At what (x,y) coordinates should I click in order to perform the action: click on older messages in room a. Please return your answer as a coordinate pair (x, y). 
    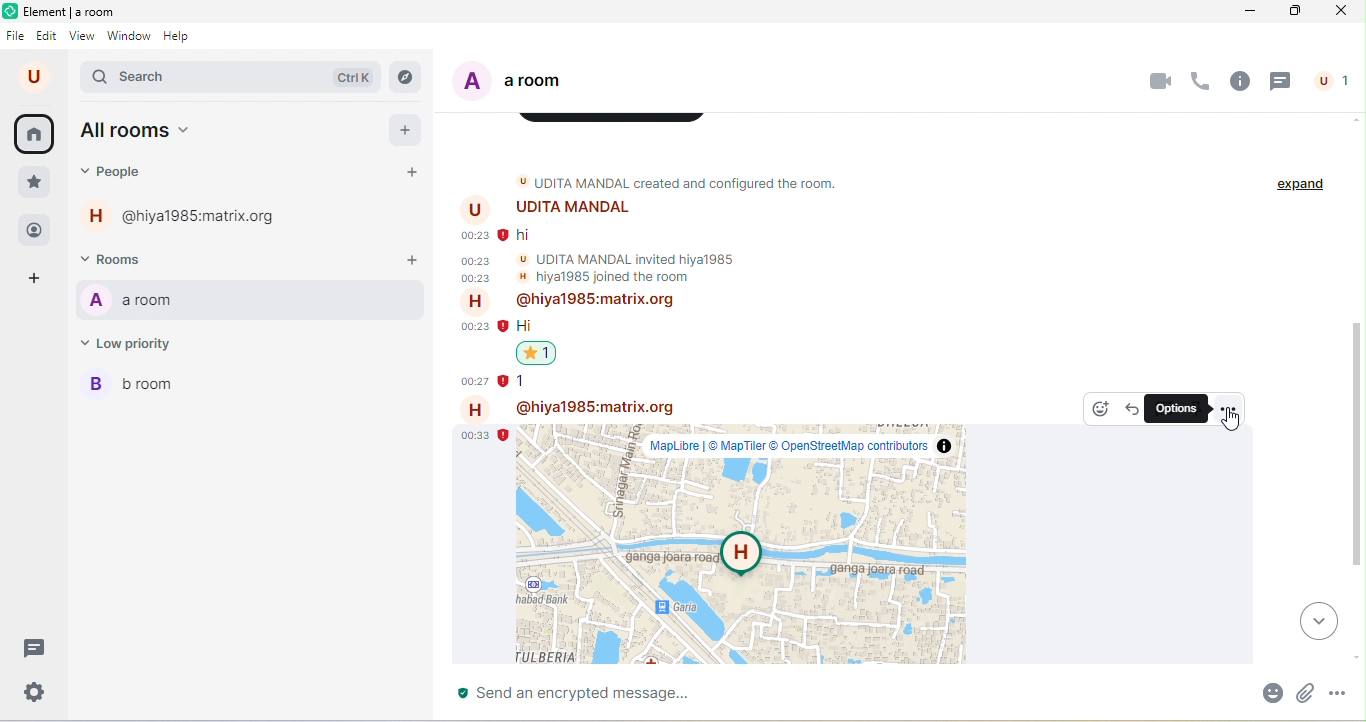
    Looking at the image, I should click on (720, 279).